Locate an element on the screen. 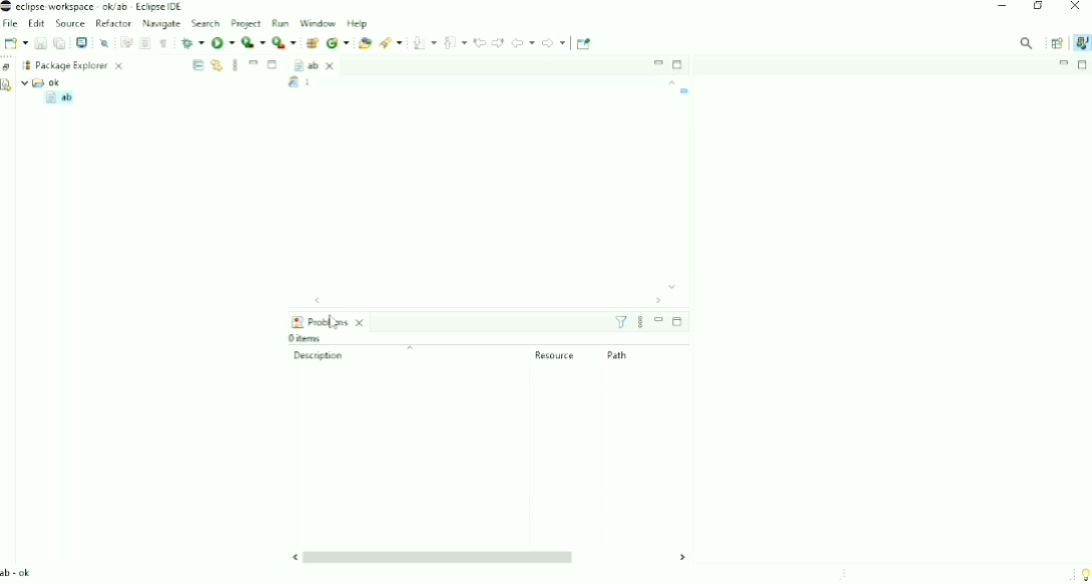 The image size is (1092, 584). Cursor is located at coordinates (335, 326).